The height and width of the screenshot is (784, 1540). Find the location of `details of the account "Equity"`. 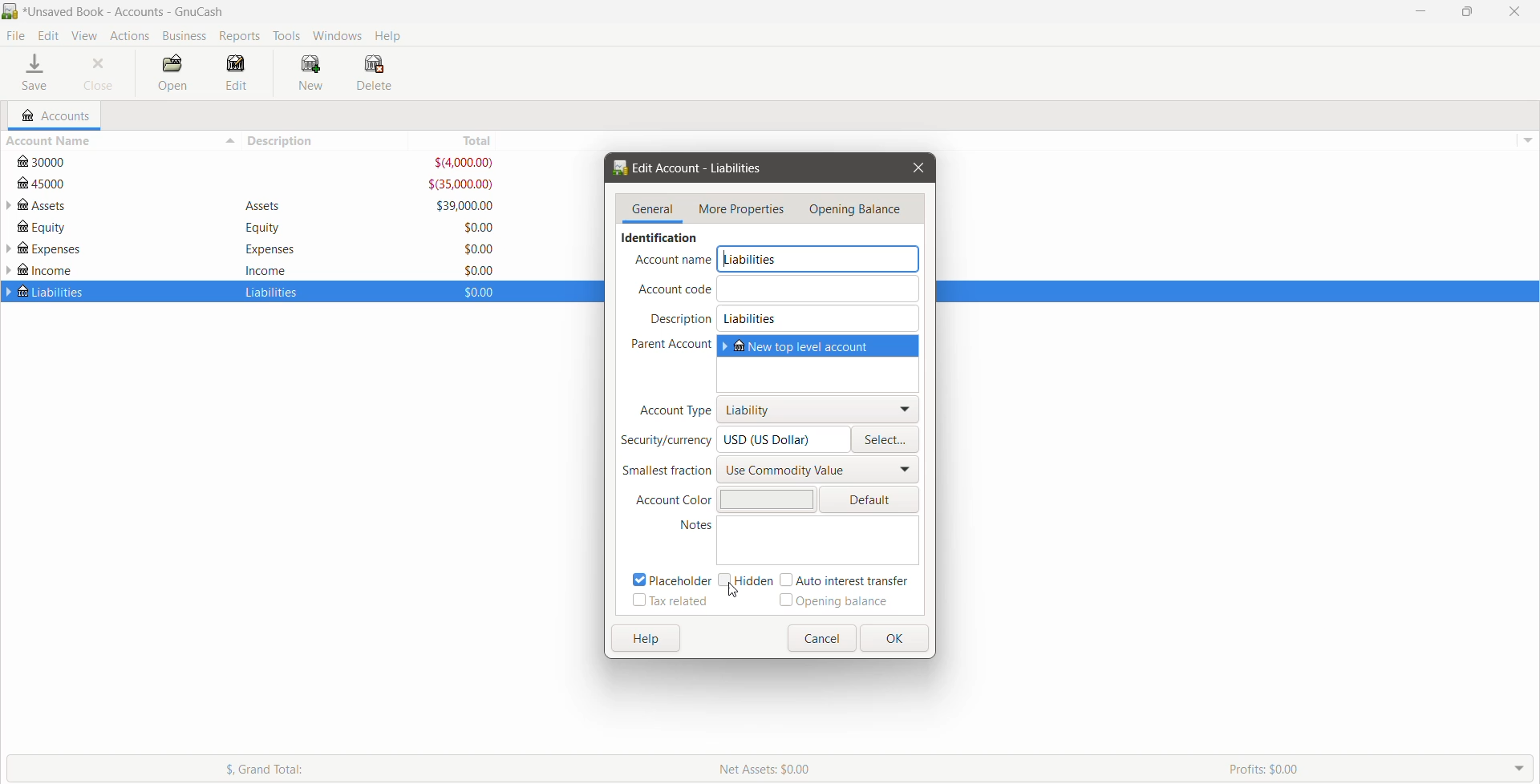

details of the account "Equity" is located at coordinates (259, 228).